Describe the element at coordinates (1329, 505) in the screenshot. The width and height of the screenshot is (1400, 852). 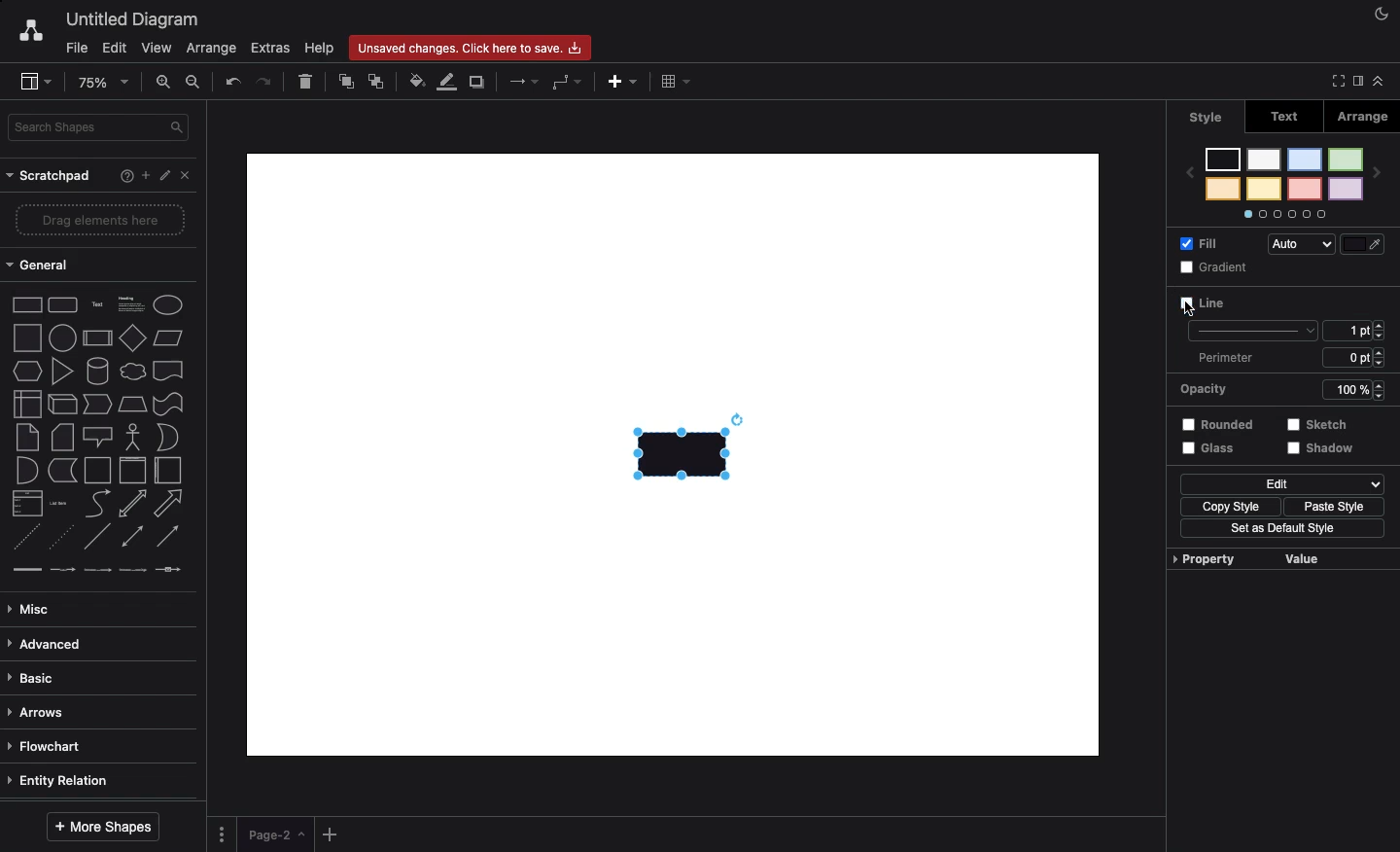
I see `Paste style` at that location.